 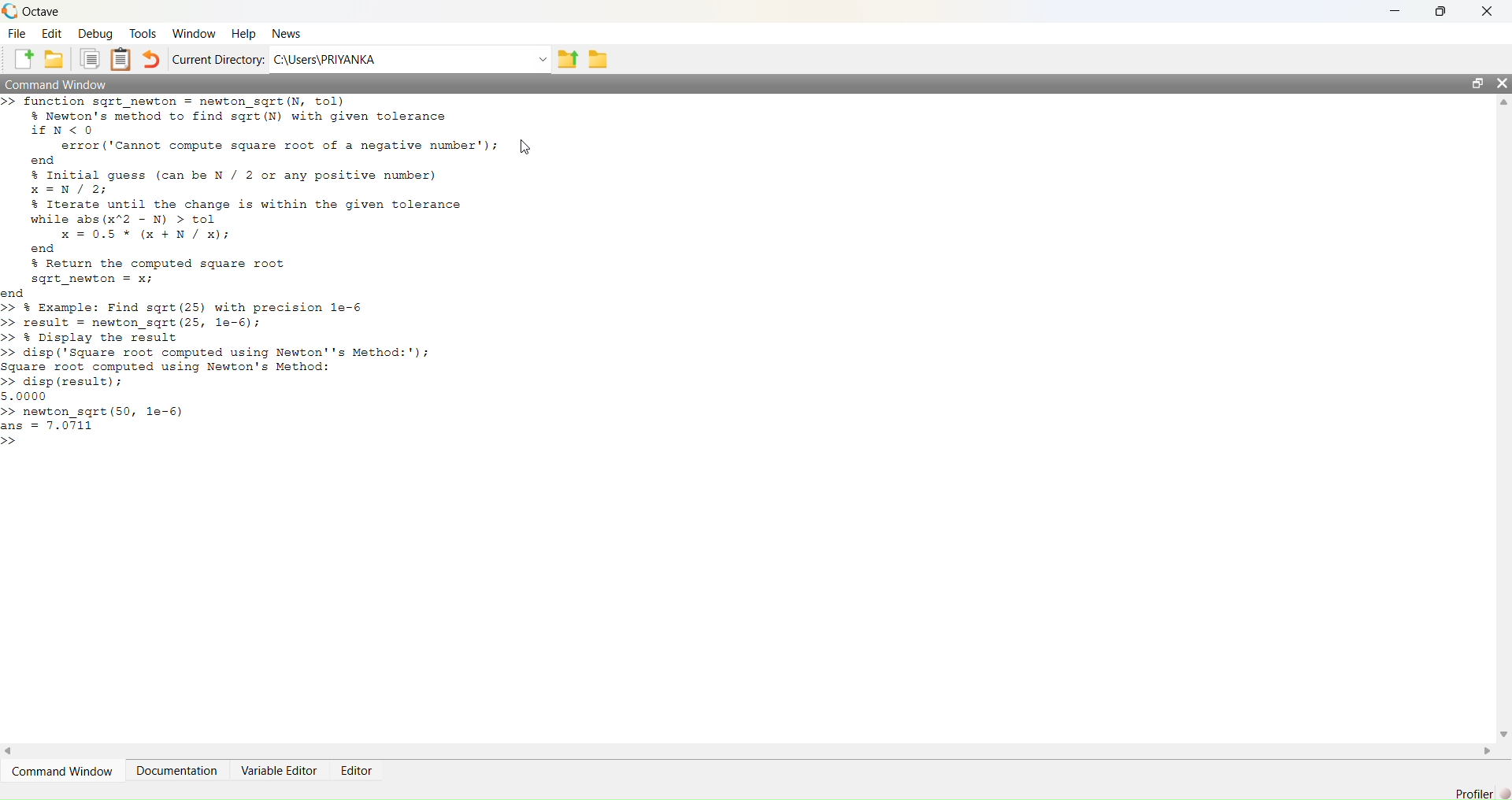 I want to click on Tools, so click(x=143, y=34).